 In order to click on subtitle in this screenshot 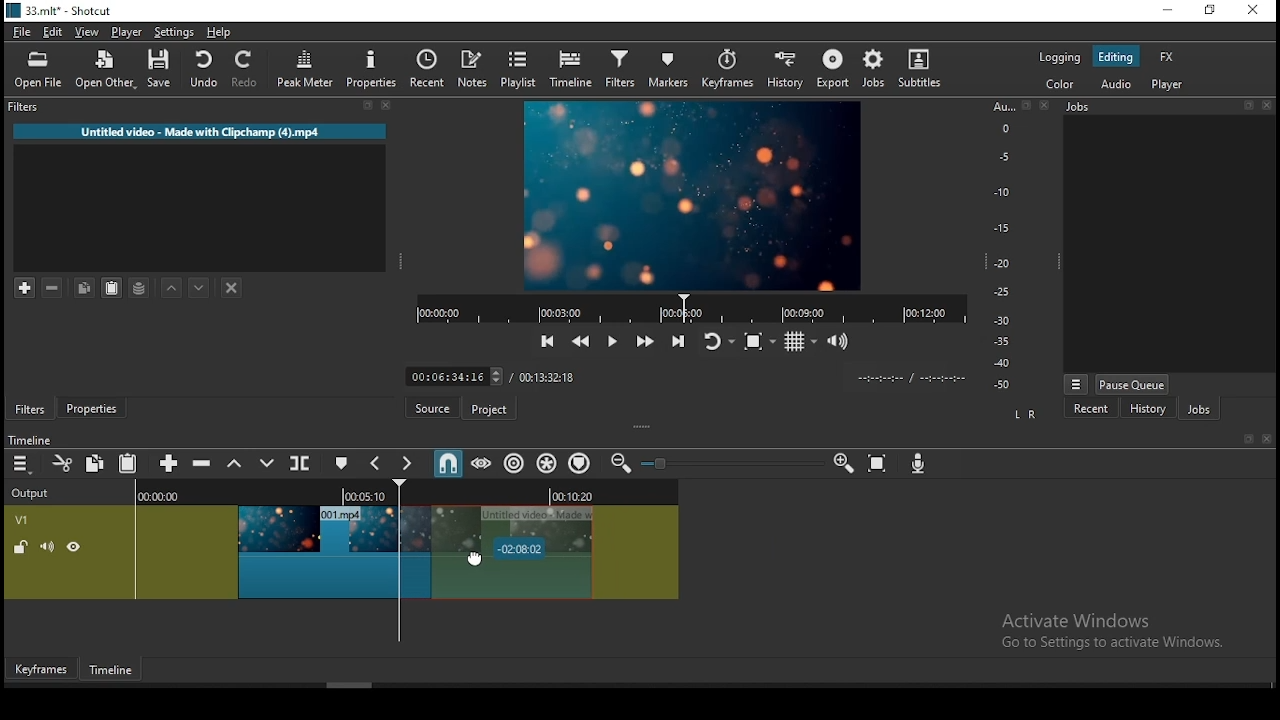, I will do `click(917, 68)`.